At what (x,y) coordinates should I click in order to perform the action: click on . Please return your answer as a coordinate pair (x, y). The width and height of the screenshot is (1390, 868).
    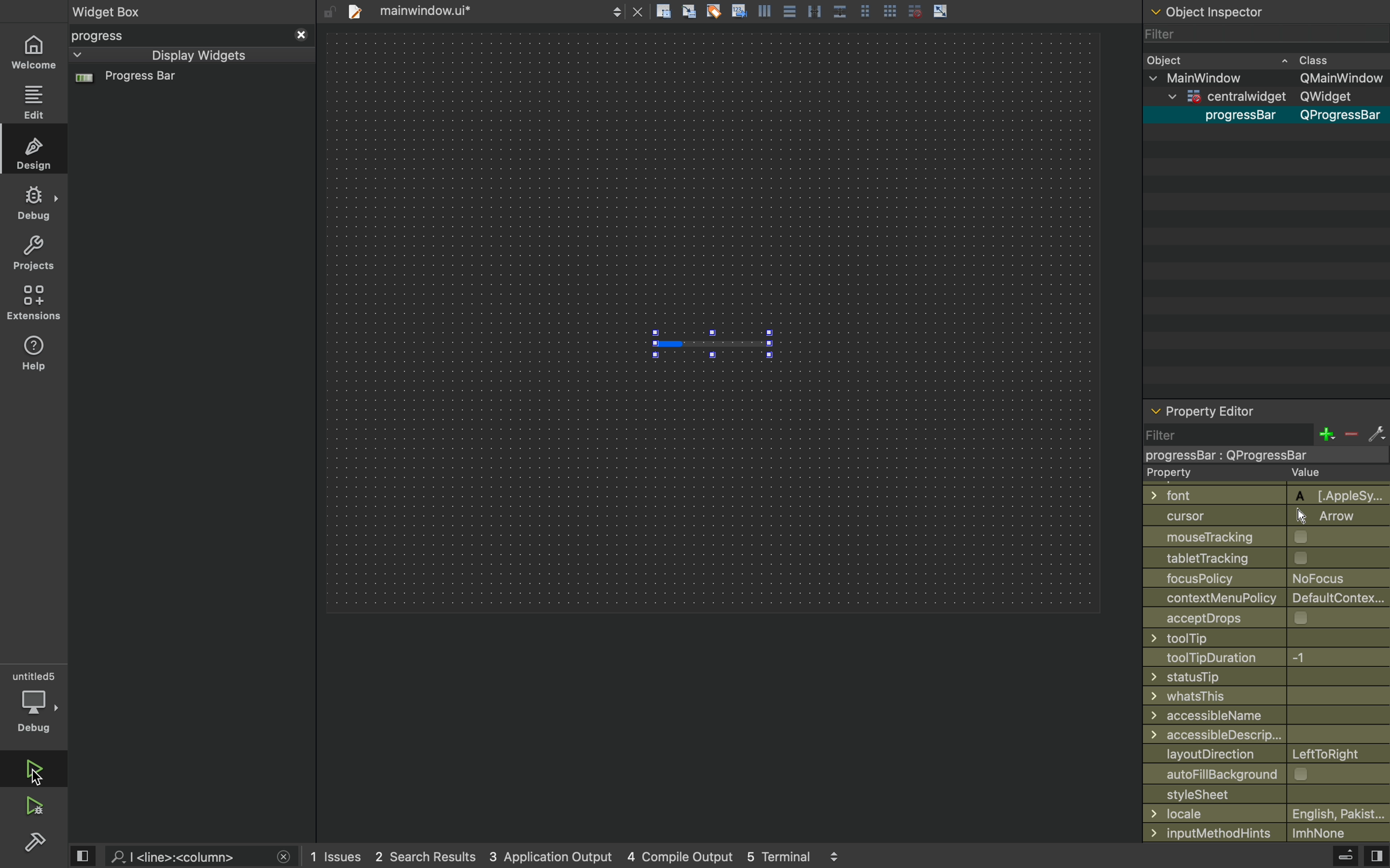
    Looking at the image, I should click on (78, 858).